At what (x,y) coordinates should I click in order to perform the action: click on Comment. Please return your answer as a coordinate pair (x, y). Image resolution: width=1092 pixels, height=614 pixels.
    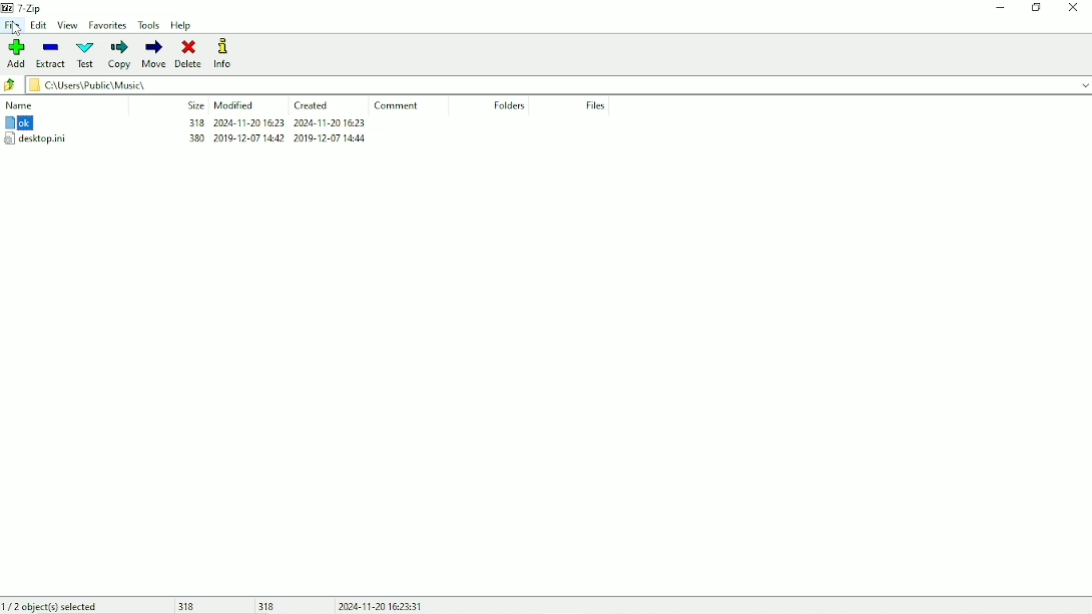
    Looking at the image, I should click on (396, 106).